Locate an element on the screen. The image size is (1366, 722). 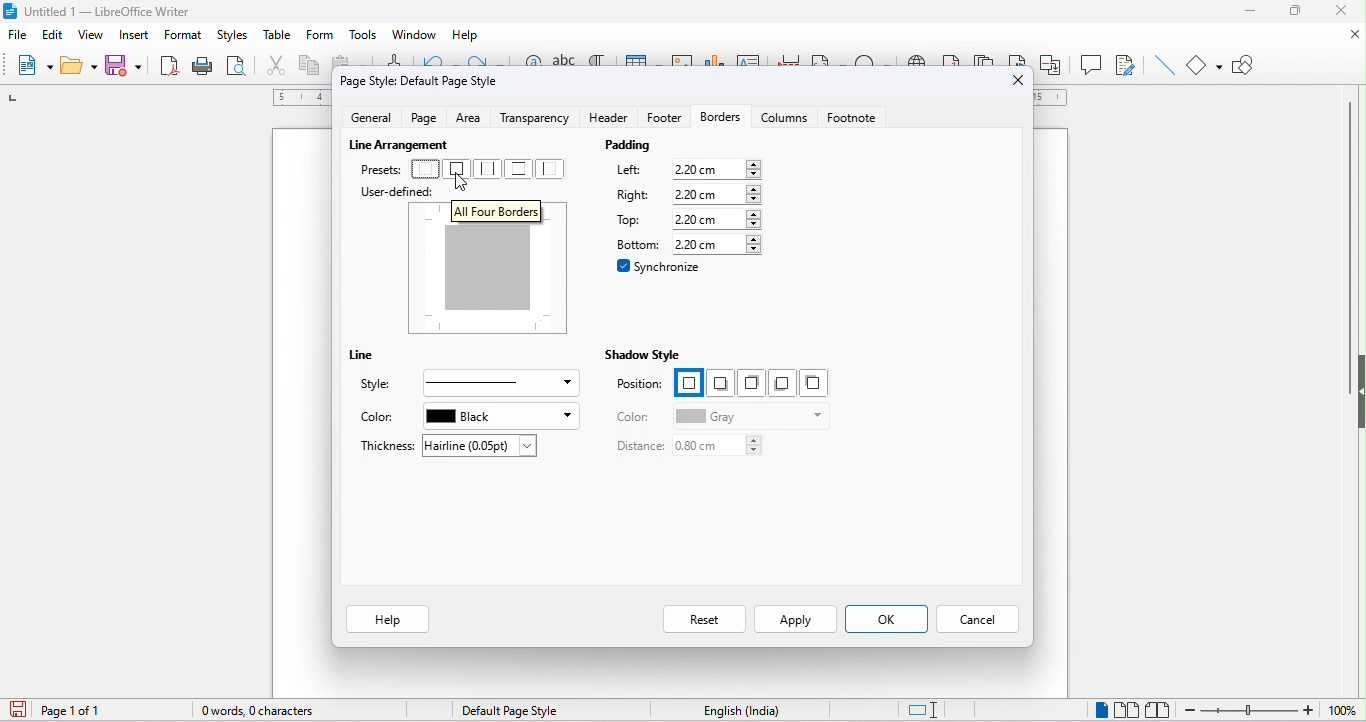
borders is located at coordinates (719, 119).